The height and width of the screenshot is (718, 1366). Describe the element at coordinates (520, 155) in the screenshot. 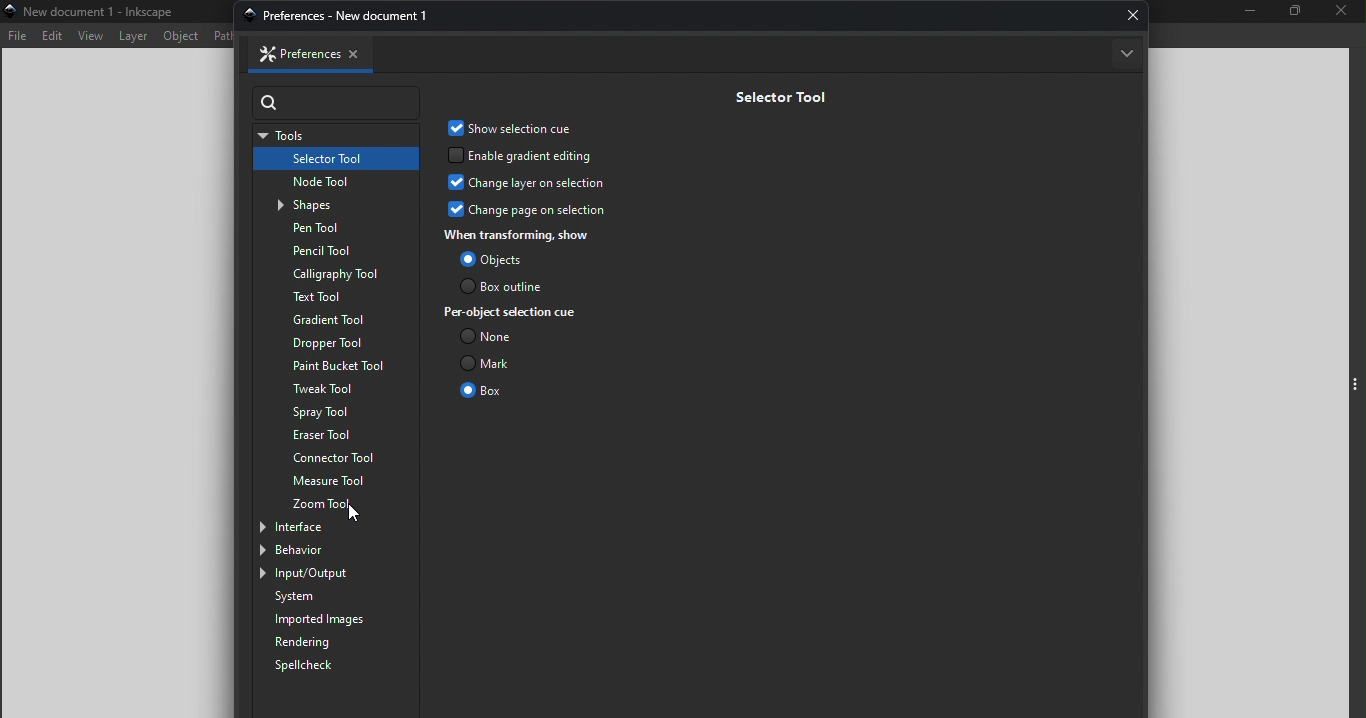

I see `Enable gradient editing` at that location.